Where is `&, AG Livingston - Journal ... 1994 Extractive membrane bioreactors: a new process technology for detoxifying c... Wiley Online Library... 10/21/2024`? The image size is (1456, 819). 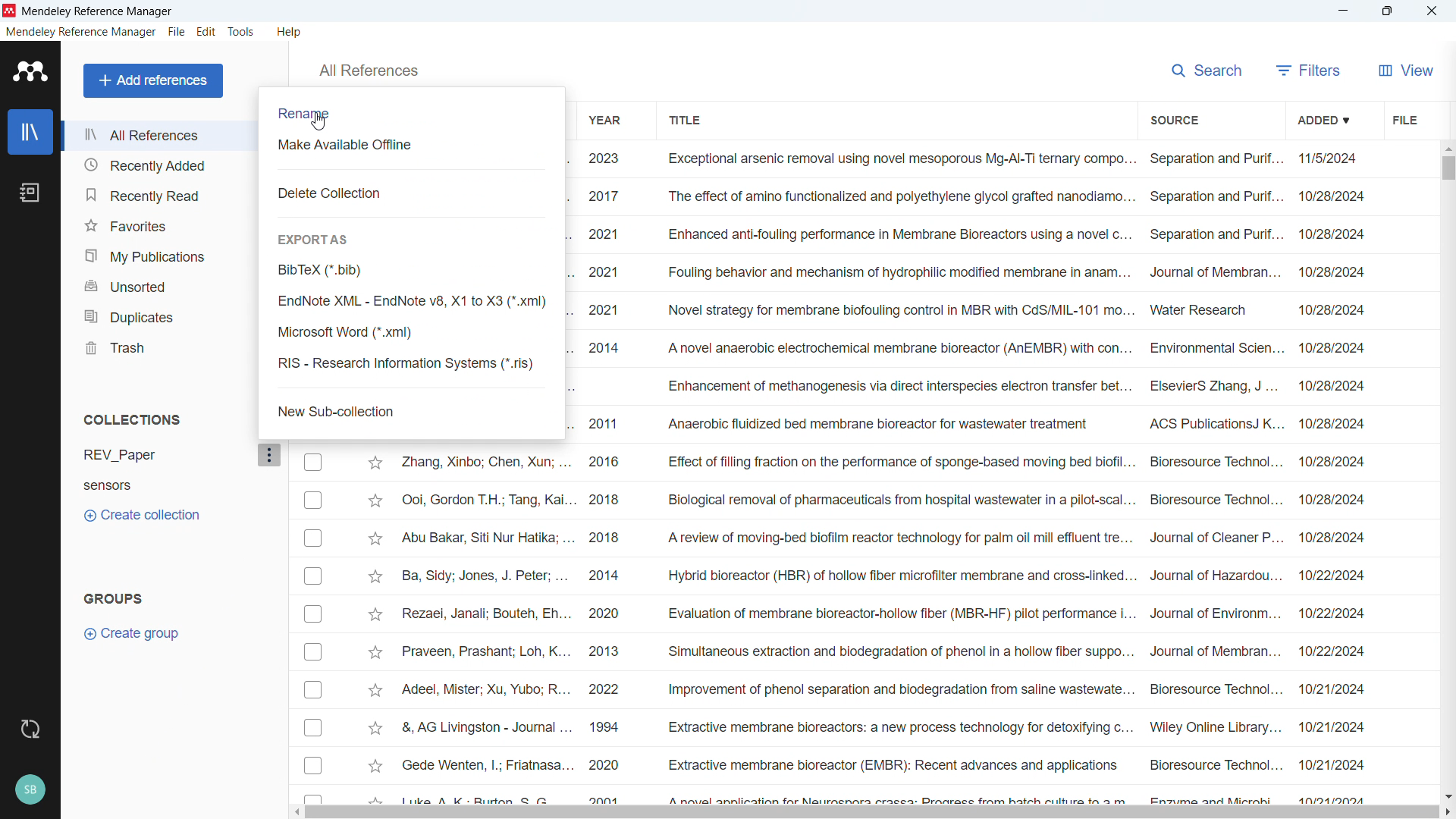 &, AG Livingston - Journal ... 1994 Extractive membrane bioreactors: a new process technology for detoxifying c... Wiley Online Library... 10/21/2024 is located at coordinates (883, 726).